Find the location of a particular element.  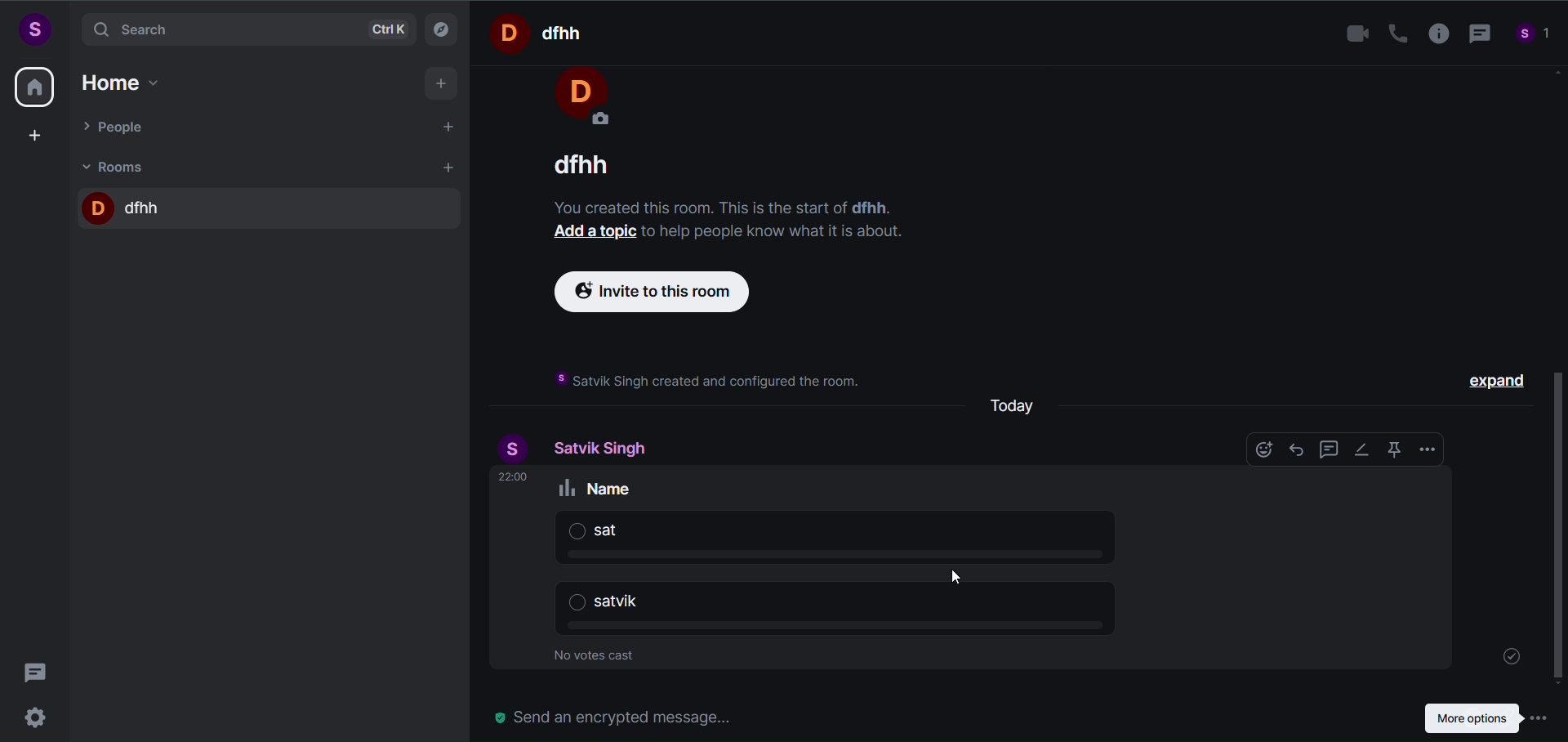

search bar is located at coordinates (245, 29).